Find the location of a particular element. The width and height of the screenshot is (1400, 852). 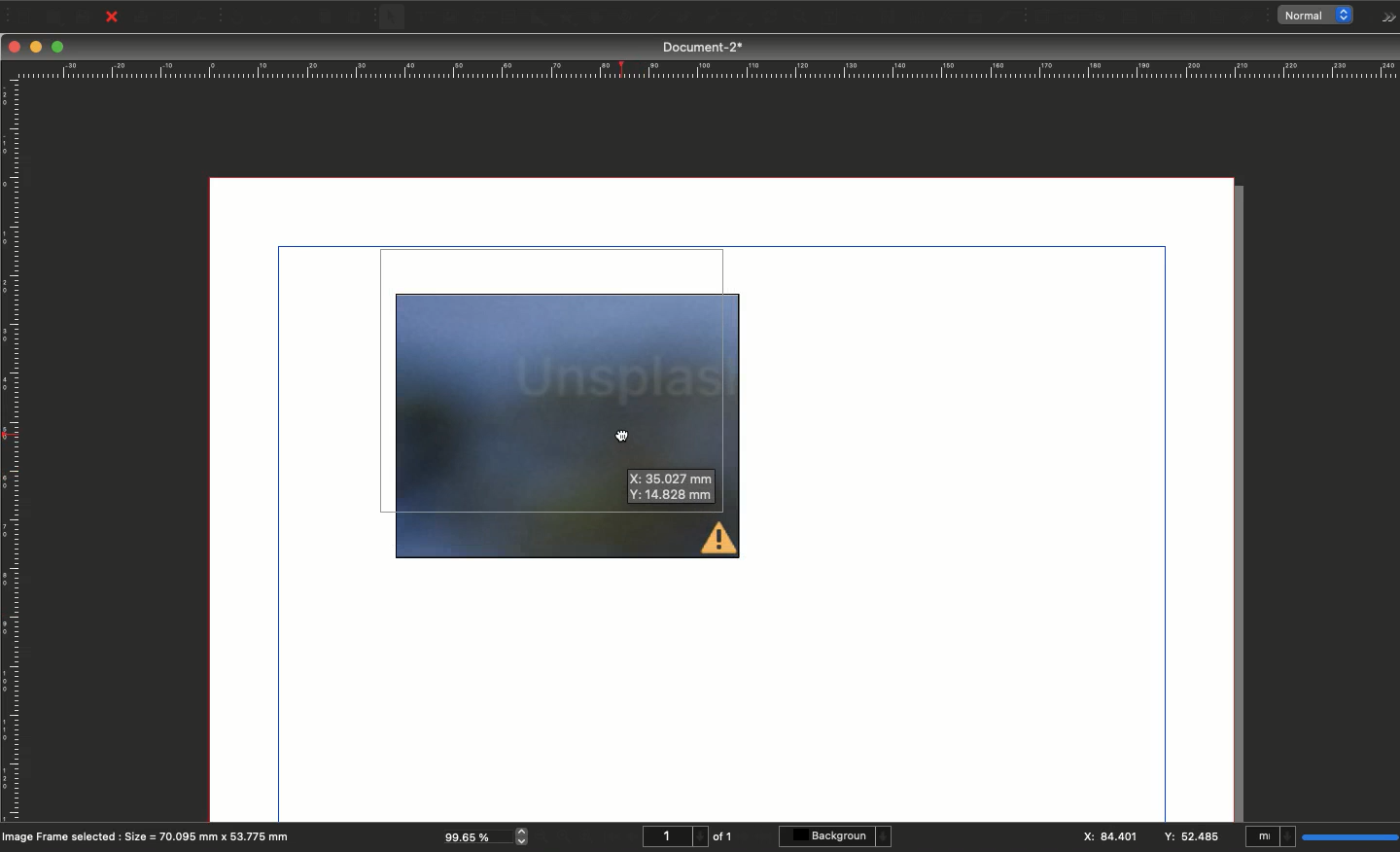

Preflight verifier is located at coordinates (172, 20).